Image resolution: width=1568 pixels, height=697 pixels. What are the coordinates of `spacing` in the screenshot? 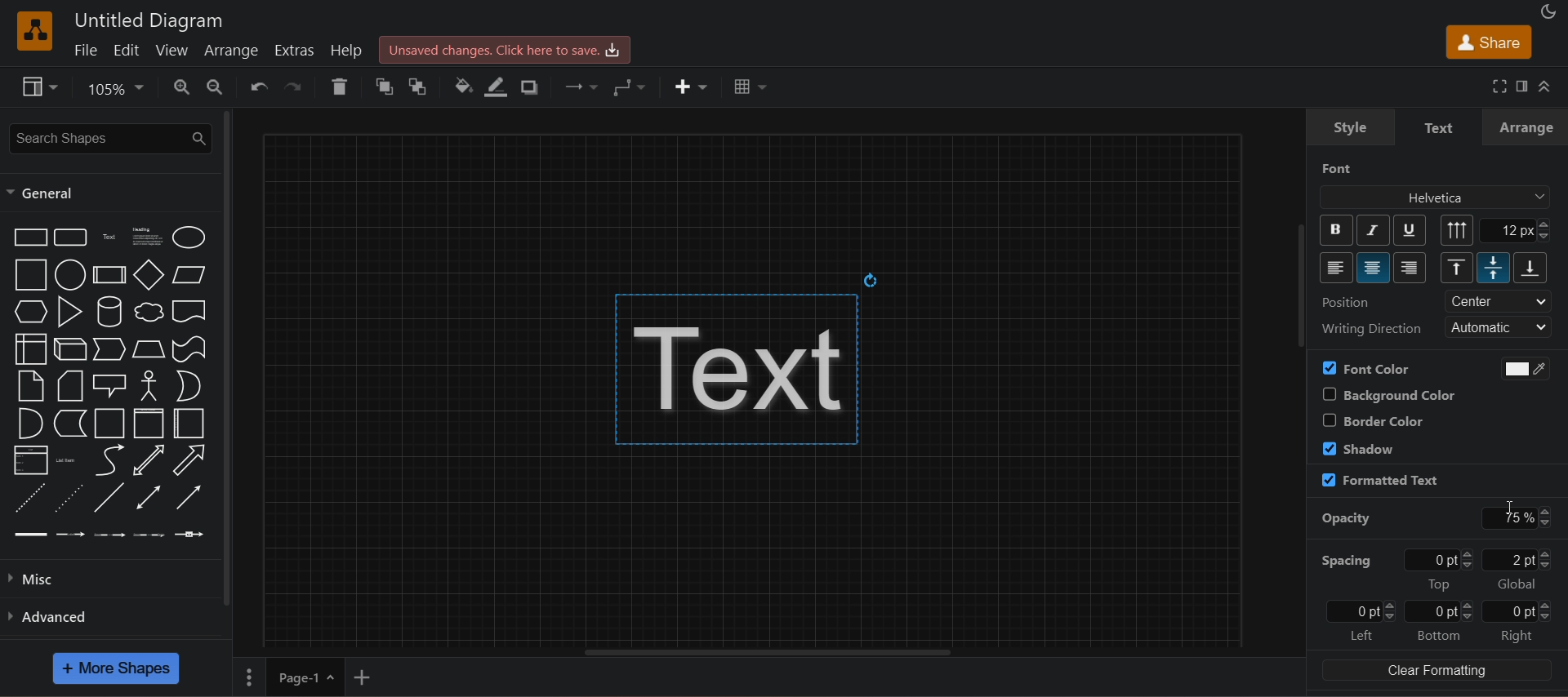 It's located at (1344, 561).